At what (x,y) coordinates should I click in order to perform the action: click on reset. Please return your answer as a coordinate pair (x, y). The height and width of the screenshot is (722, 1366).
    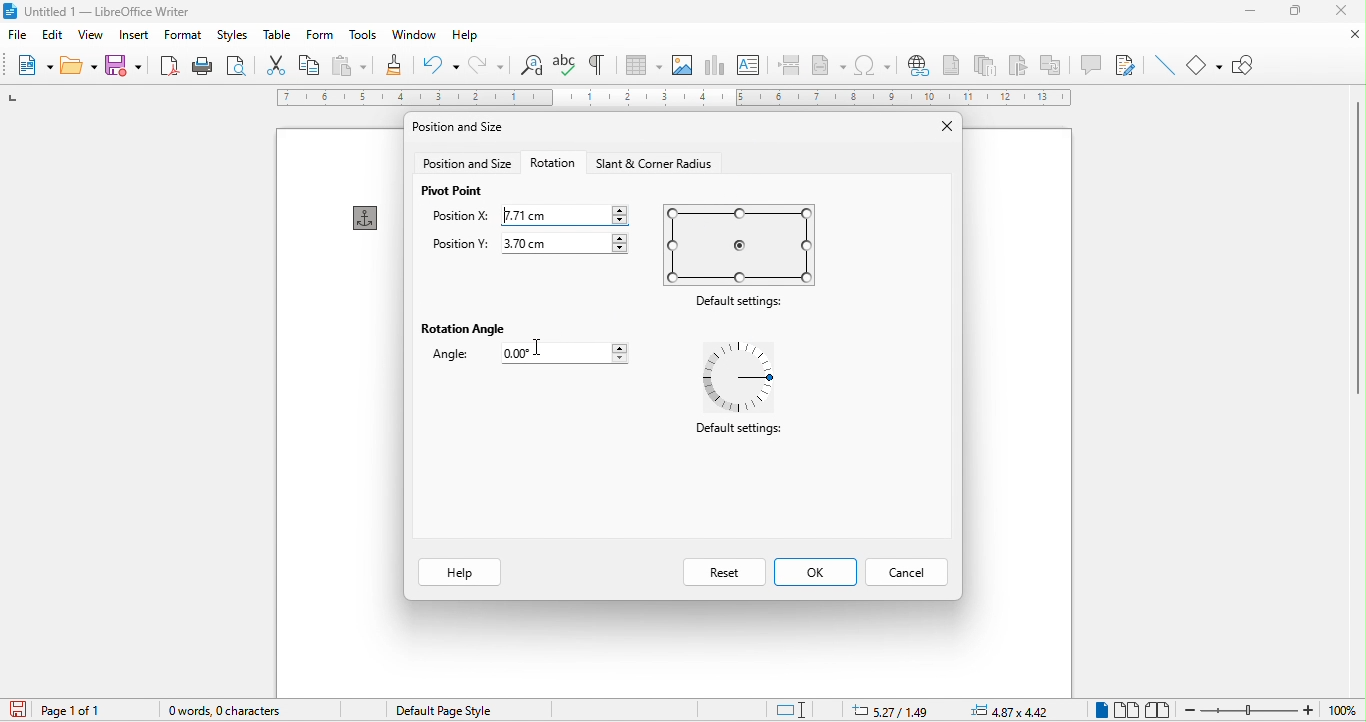
    Looking at the image, I should click on (724, 572).